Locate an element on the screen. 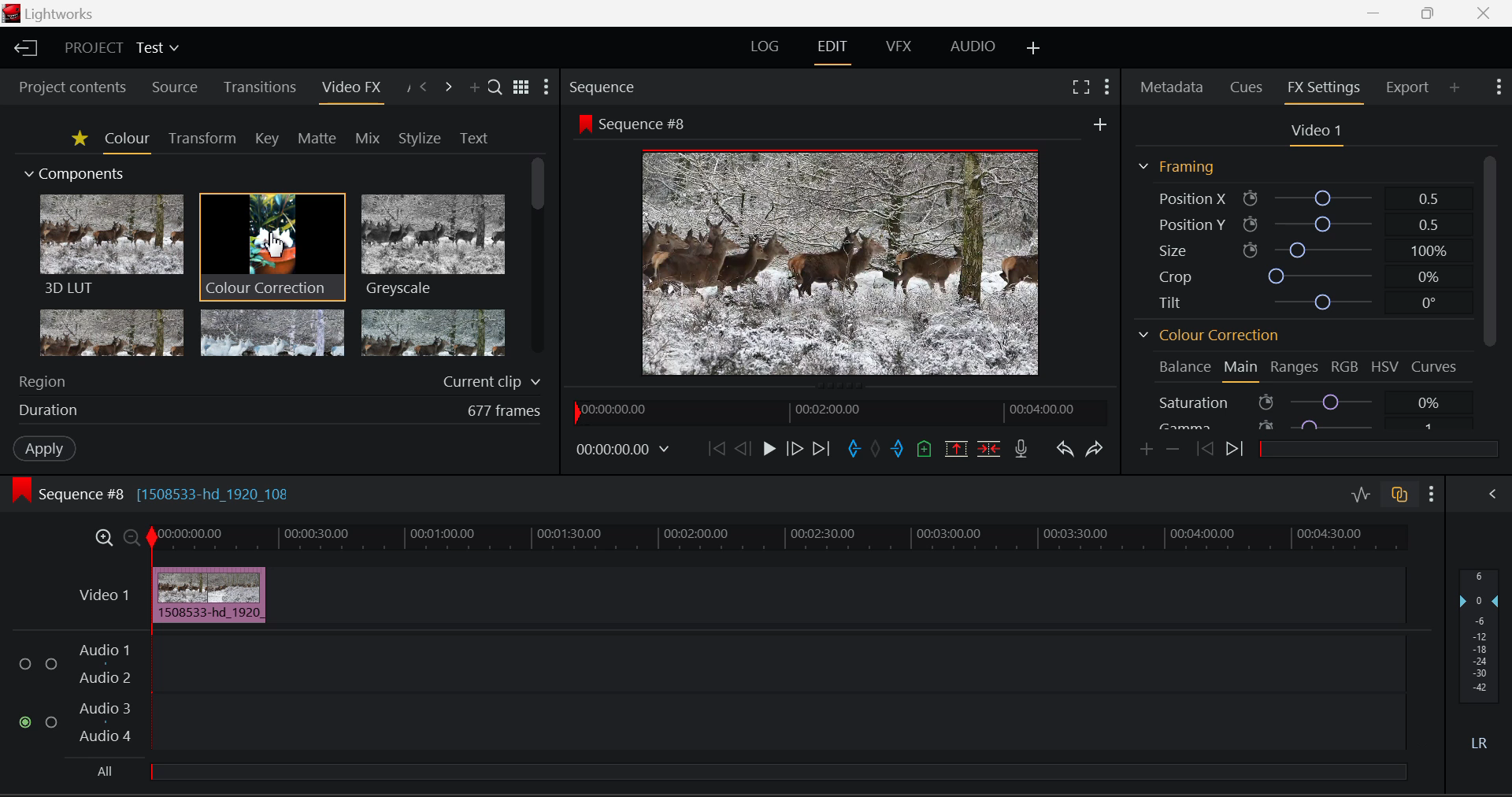  Position X is located at coordinates (1299, 198).